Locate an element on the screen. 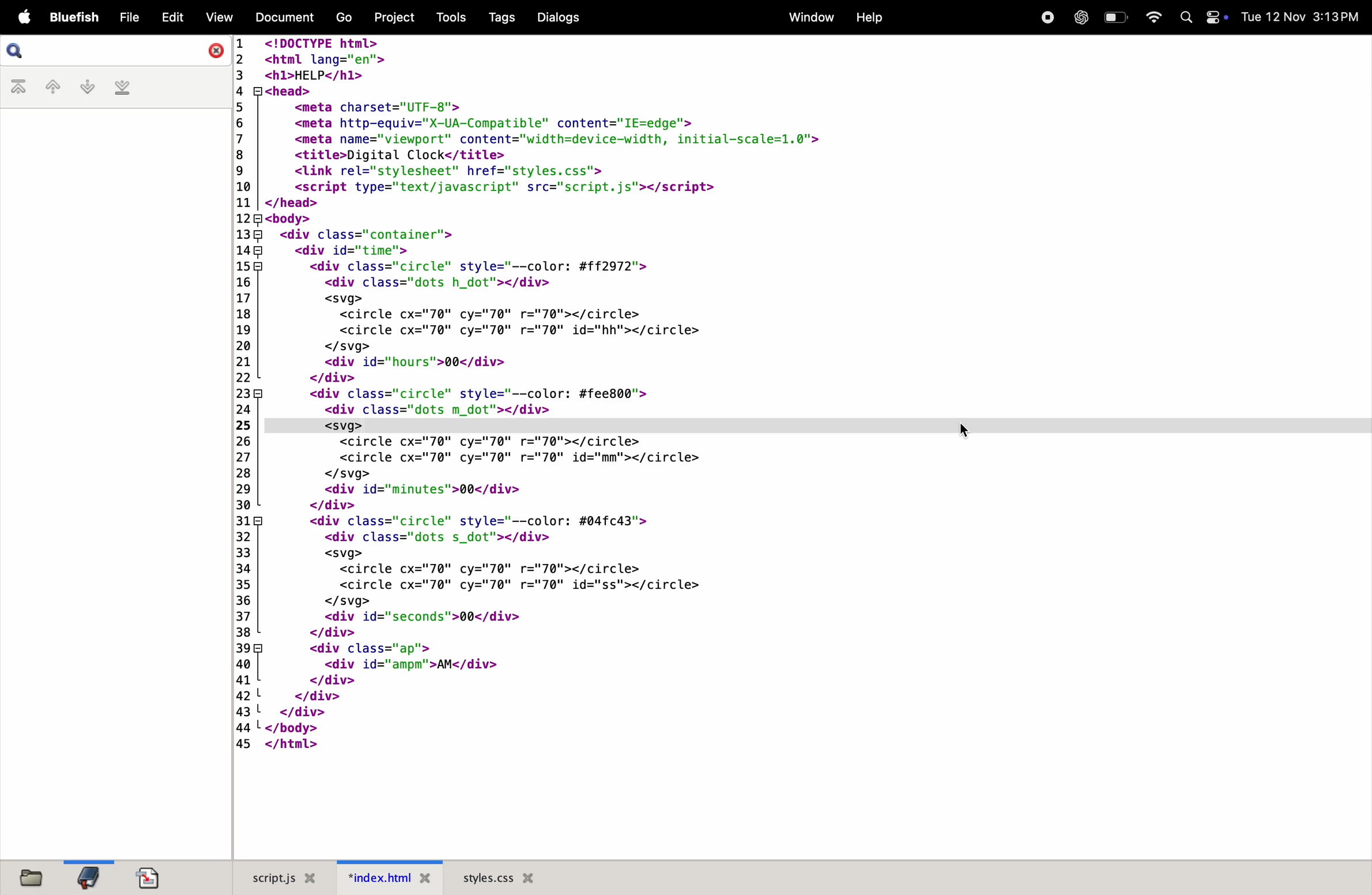 The image size is (1372, 895). script.js is located at coordinates (277, 878).